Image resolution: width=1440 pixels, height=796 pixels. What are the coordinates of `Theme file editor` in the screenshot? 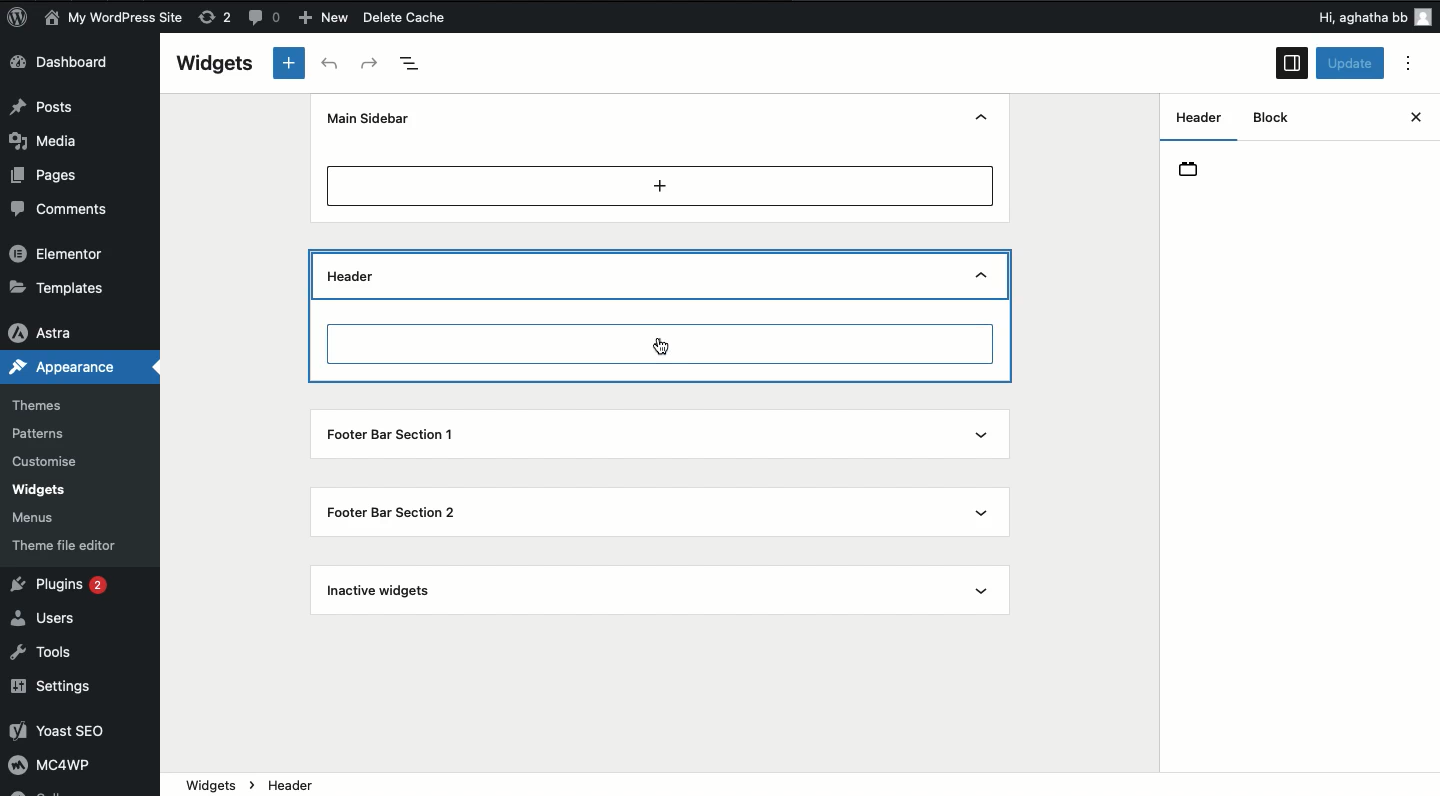 It's located at (65, 541).